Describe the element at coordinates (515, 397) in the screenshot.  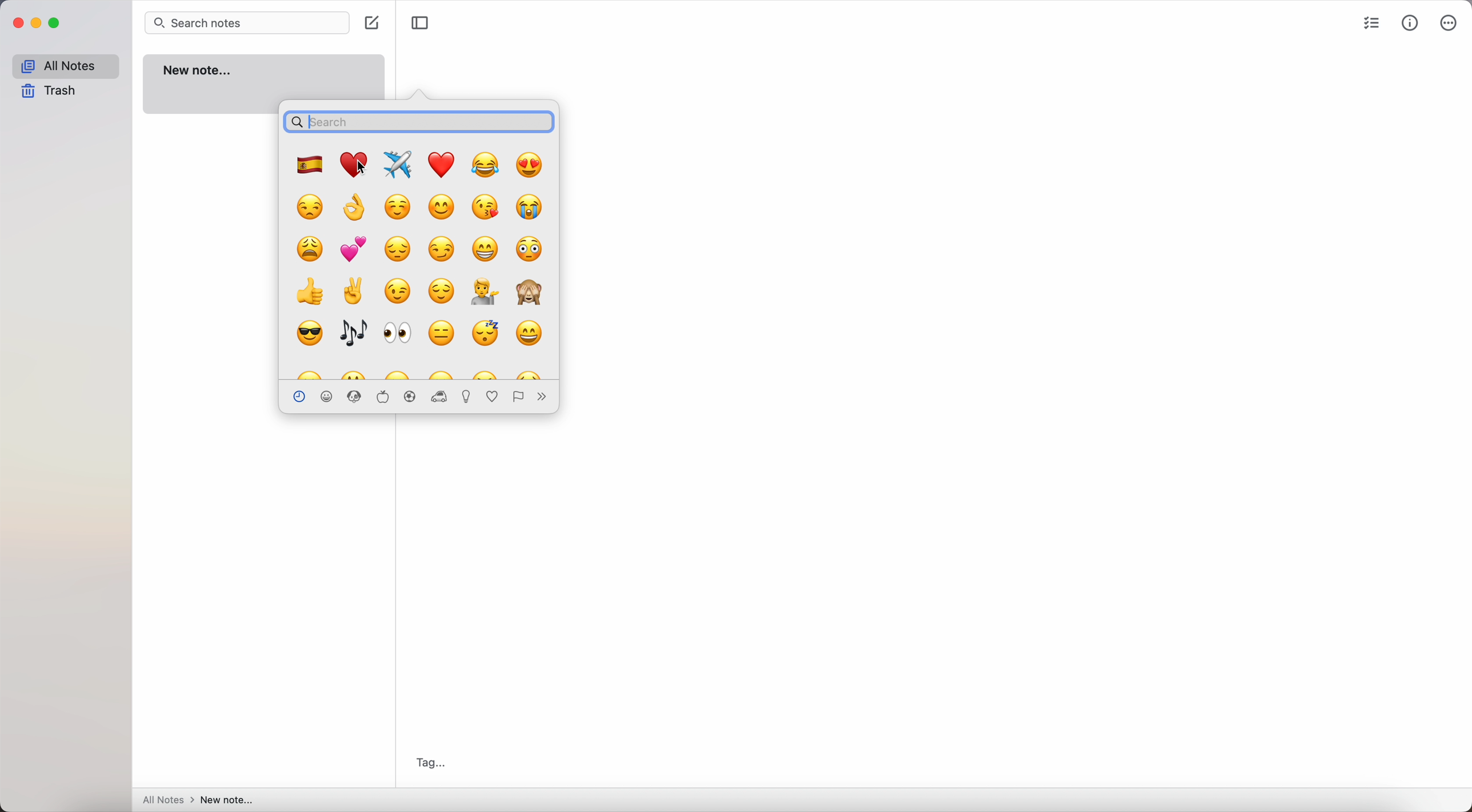
I see `emojis` at that location.